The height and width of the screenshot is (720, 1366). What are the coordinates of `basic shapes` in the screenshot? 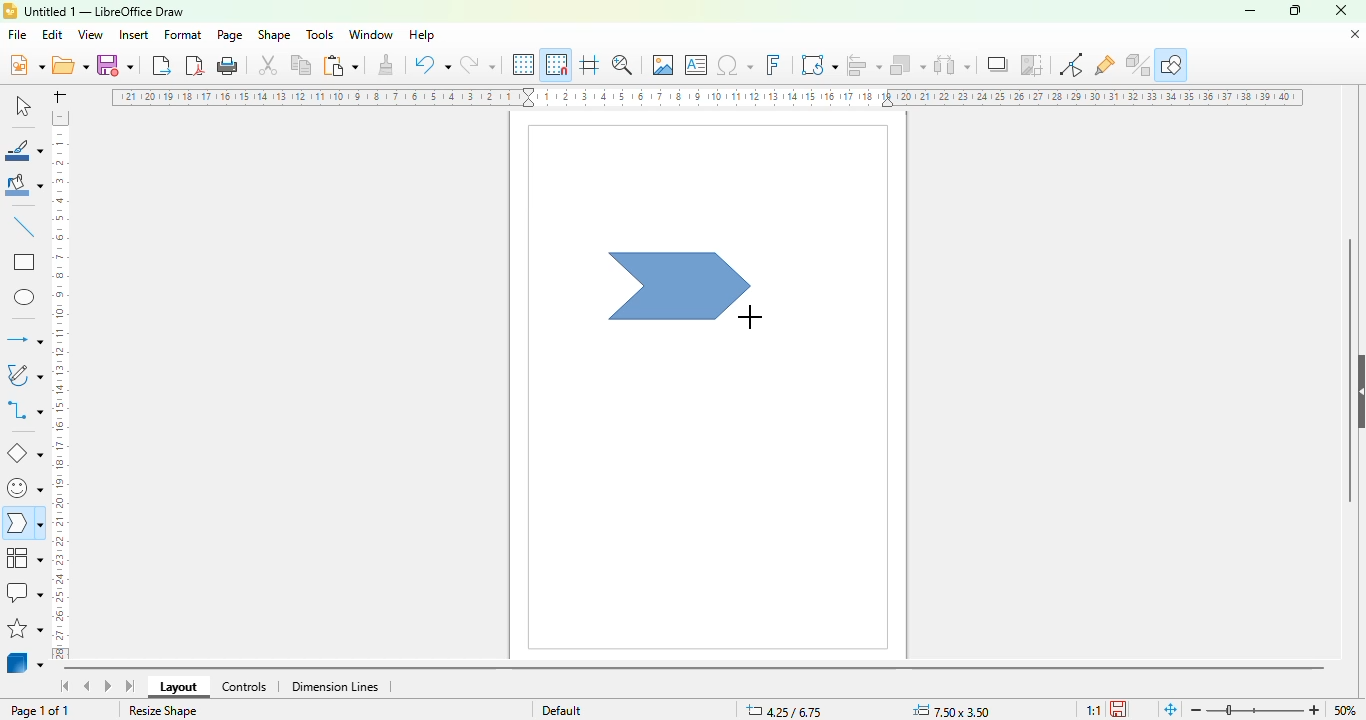 It's located at (25, 454).